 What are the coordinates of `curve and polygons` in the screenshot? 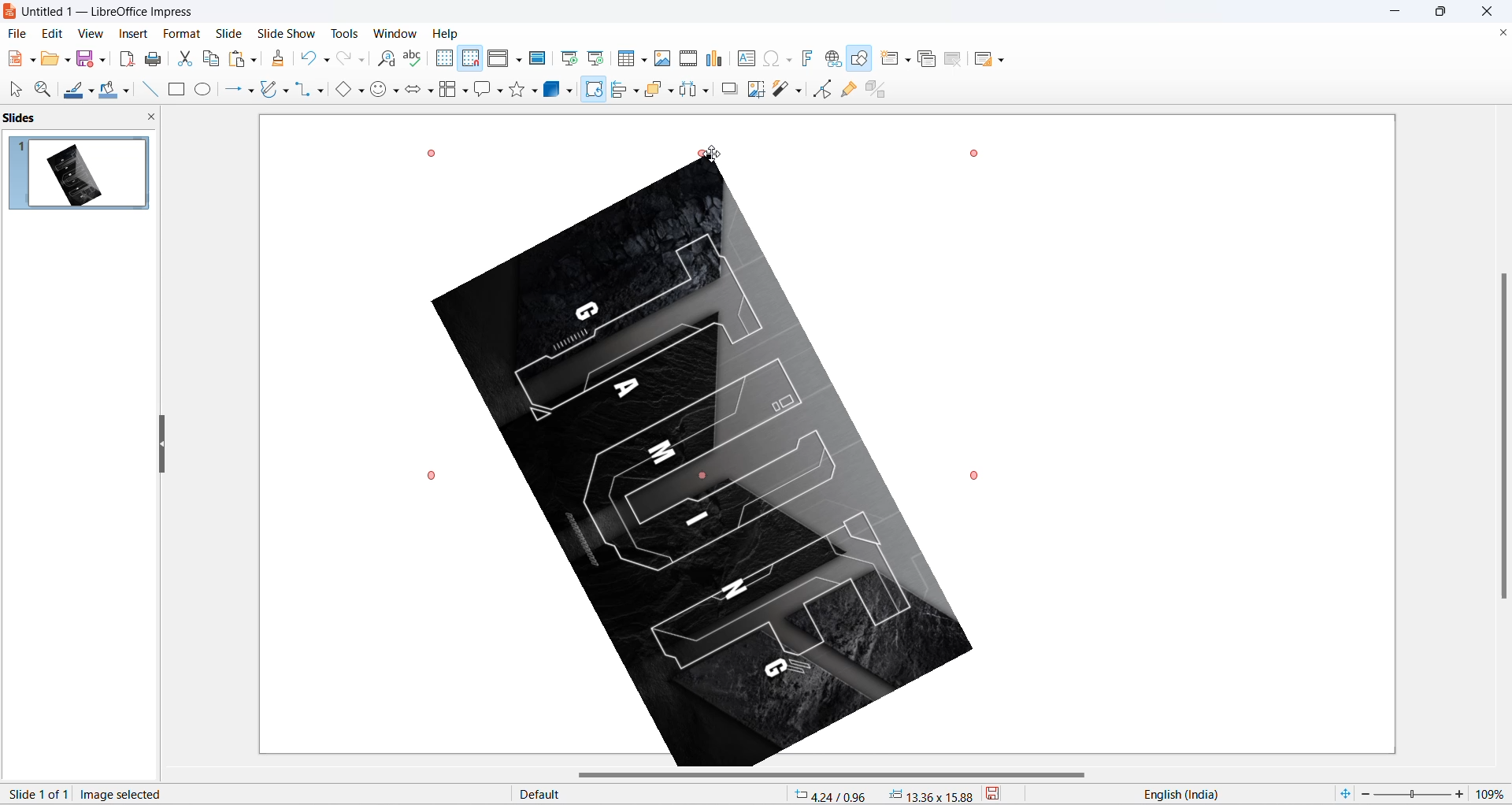 It's located at (270, 91).